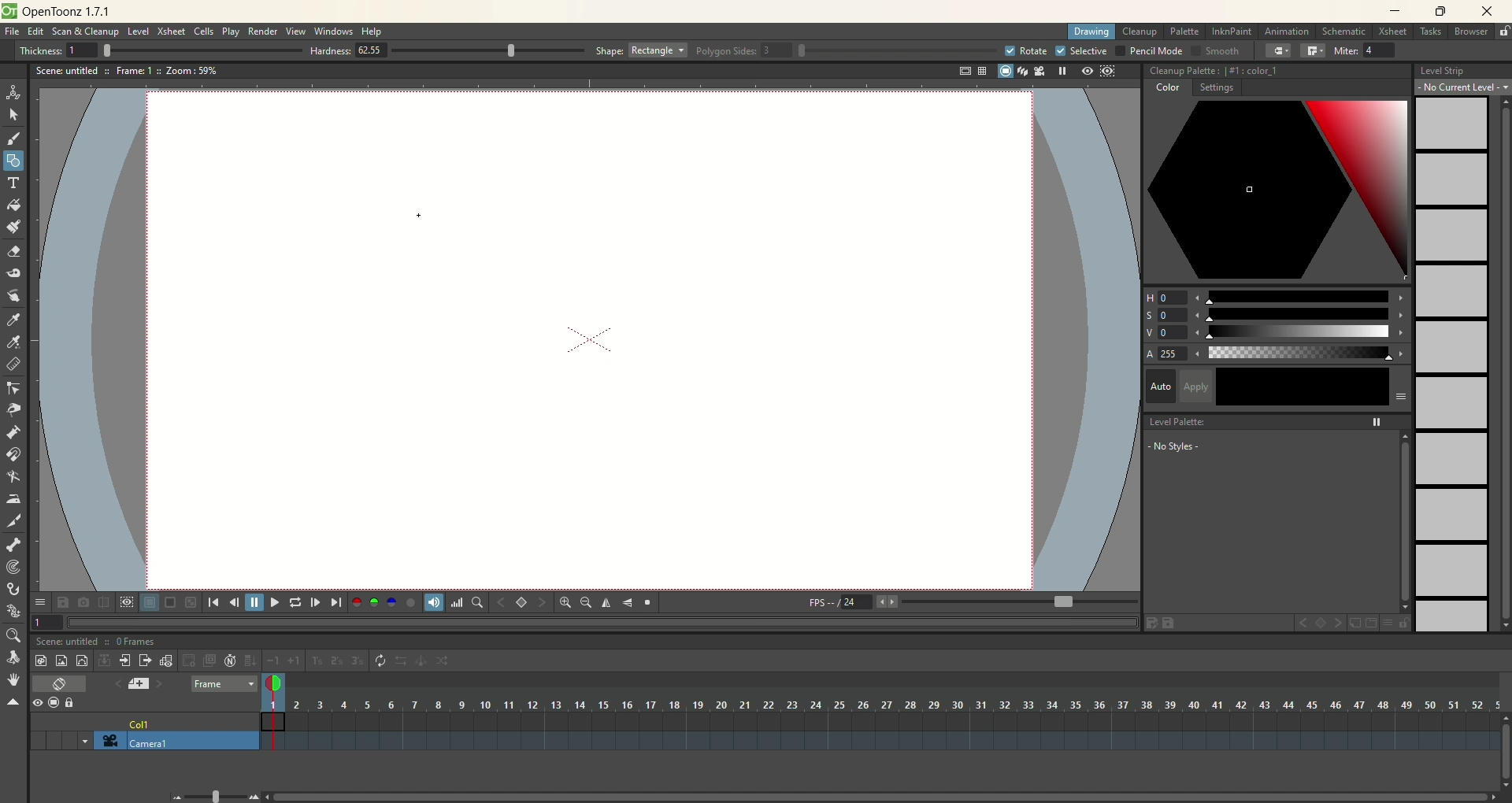 The height and width of the screenshot is (803, 1512). Describe the element at coordinates (1277, 192) in the screenshot. I see `color picker` at that location.